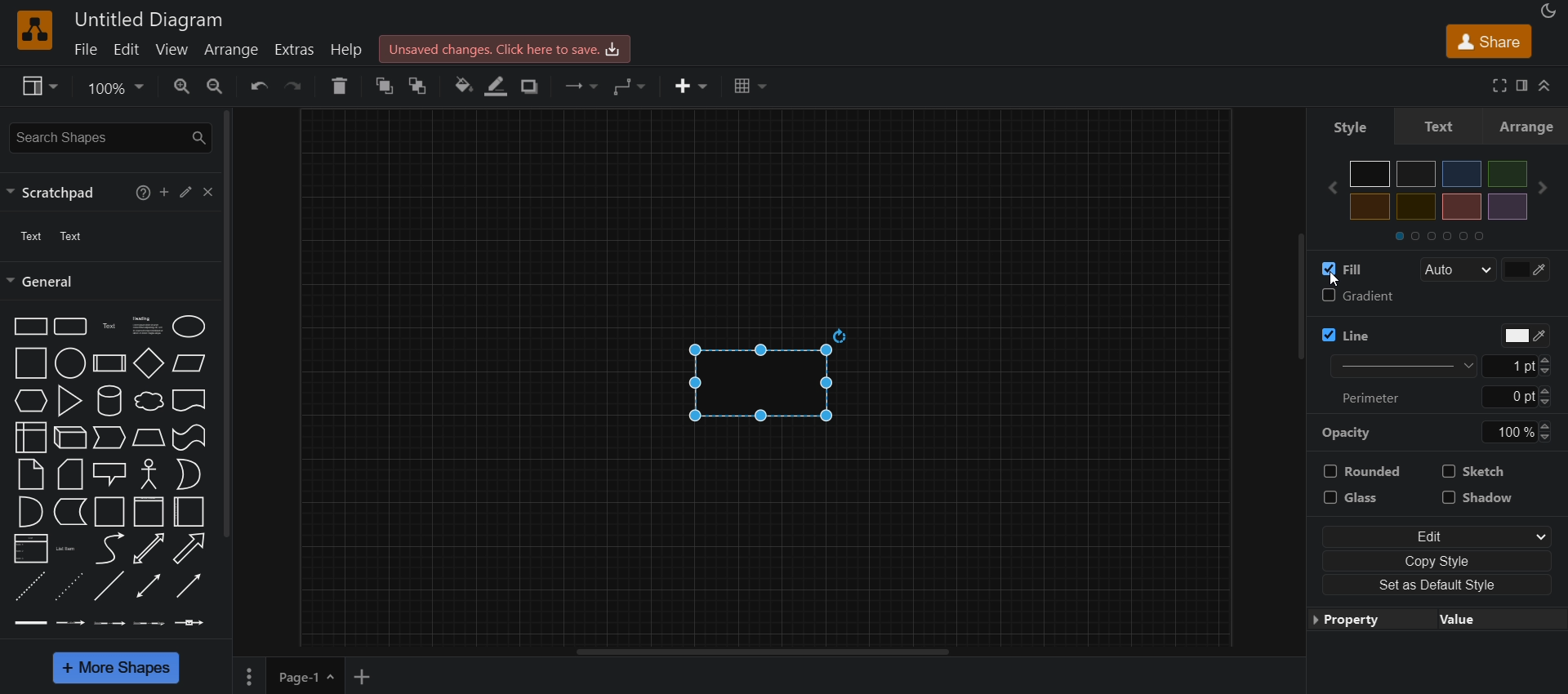  I want to click on help, so click(349, 52).